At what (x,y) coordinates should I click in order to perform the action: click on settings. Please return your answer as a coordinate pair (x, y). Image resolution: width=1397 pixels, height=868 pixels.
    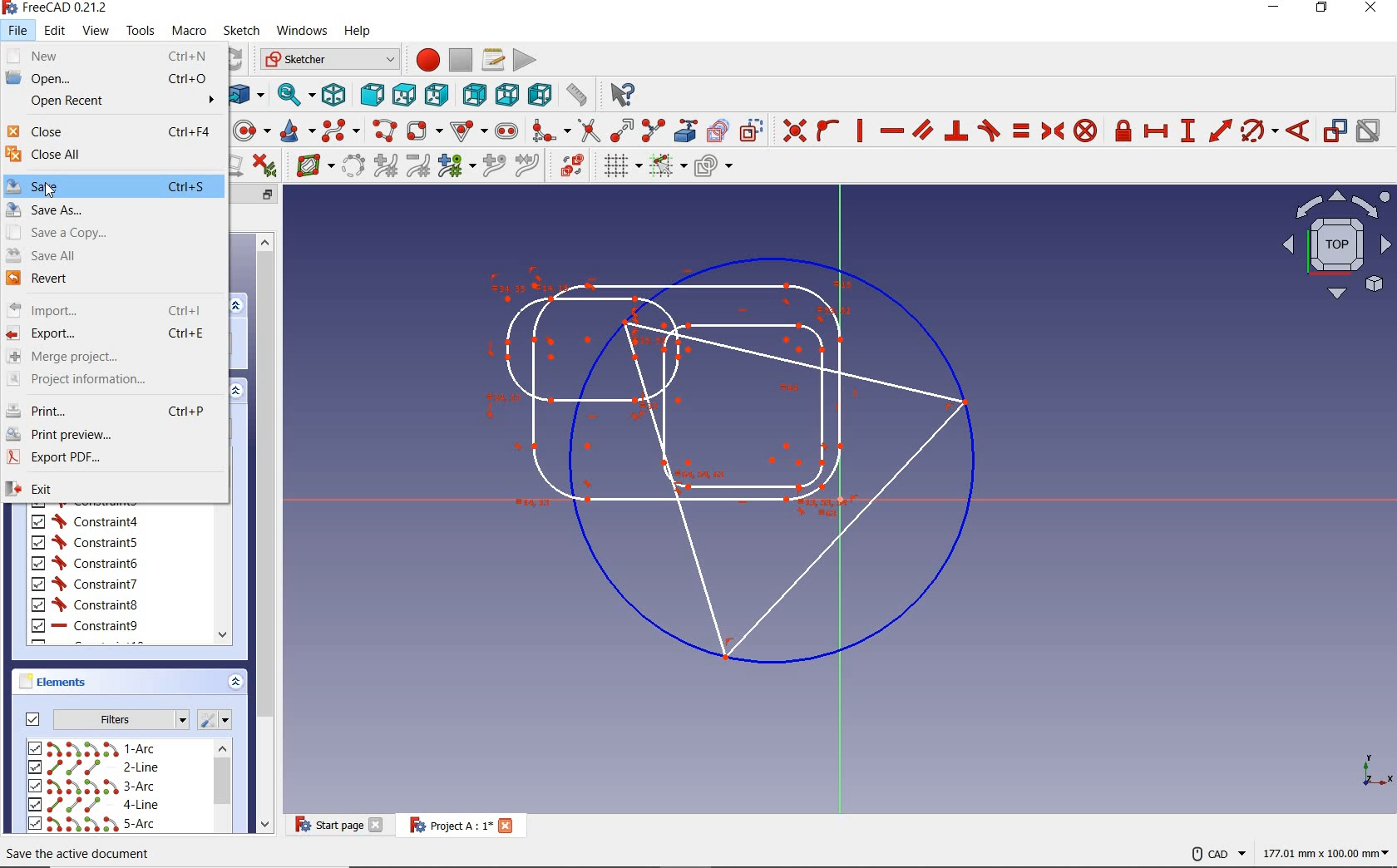
    Looking at the image, I should click on (216, 720).